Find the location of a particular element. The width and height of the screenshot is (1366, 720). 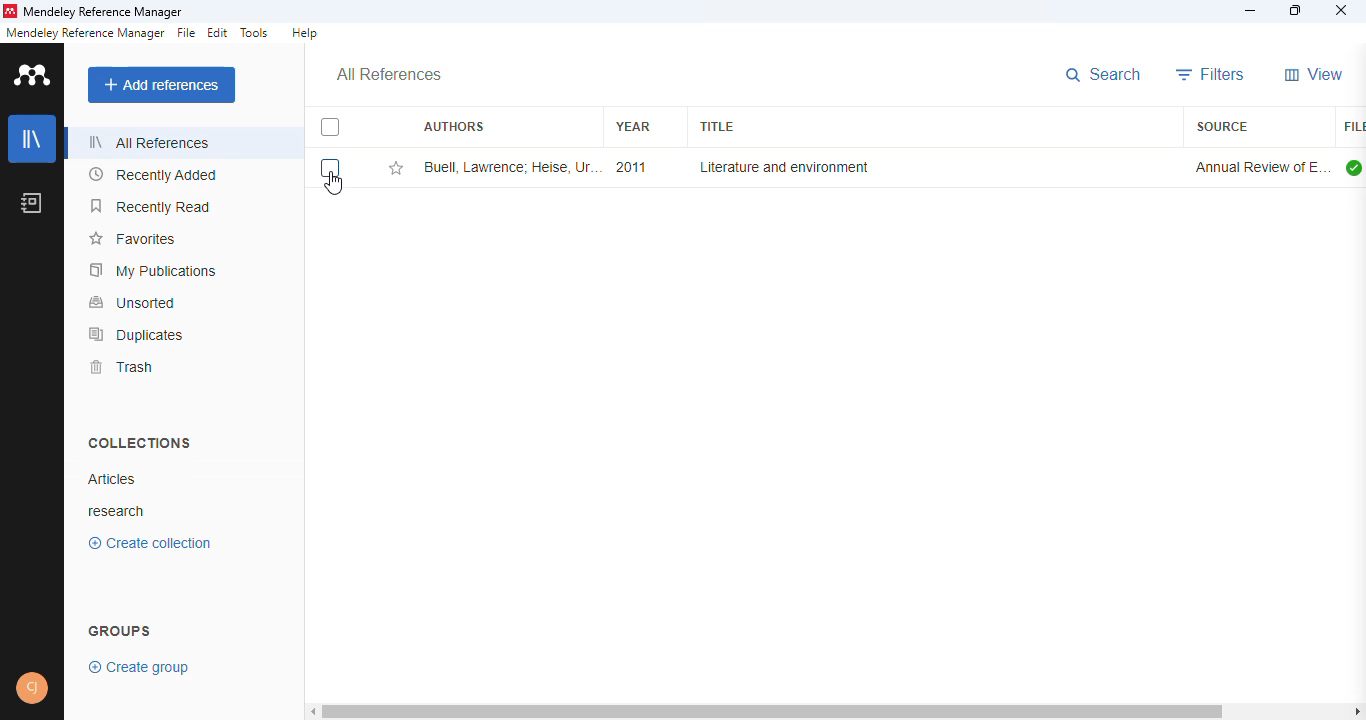

horizontal scroll bar is located at coordinates (772, 711).